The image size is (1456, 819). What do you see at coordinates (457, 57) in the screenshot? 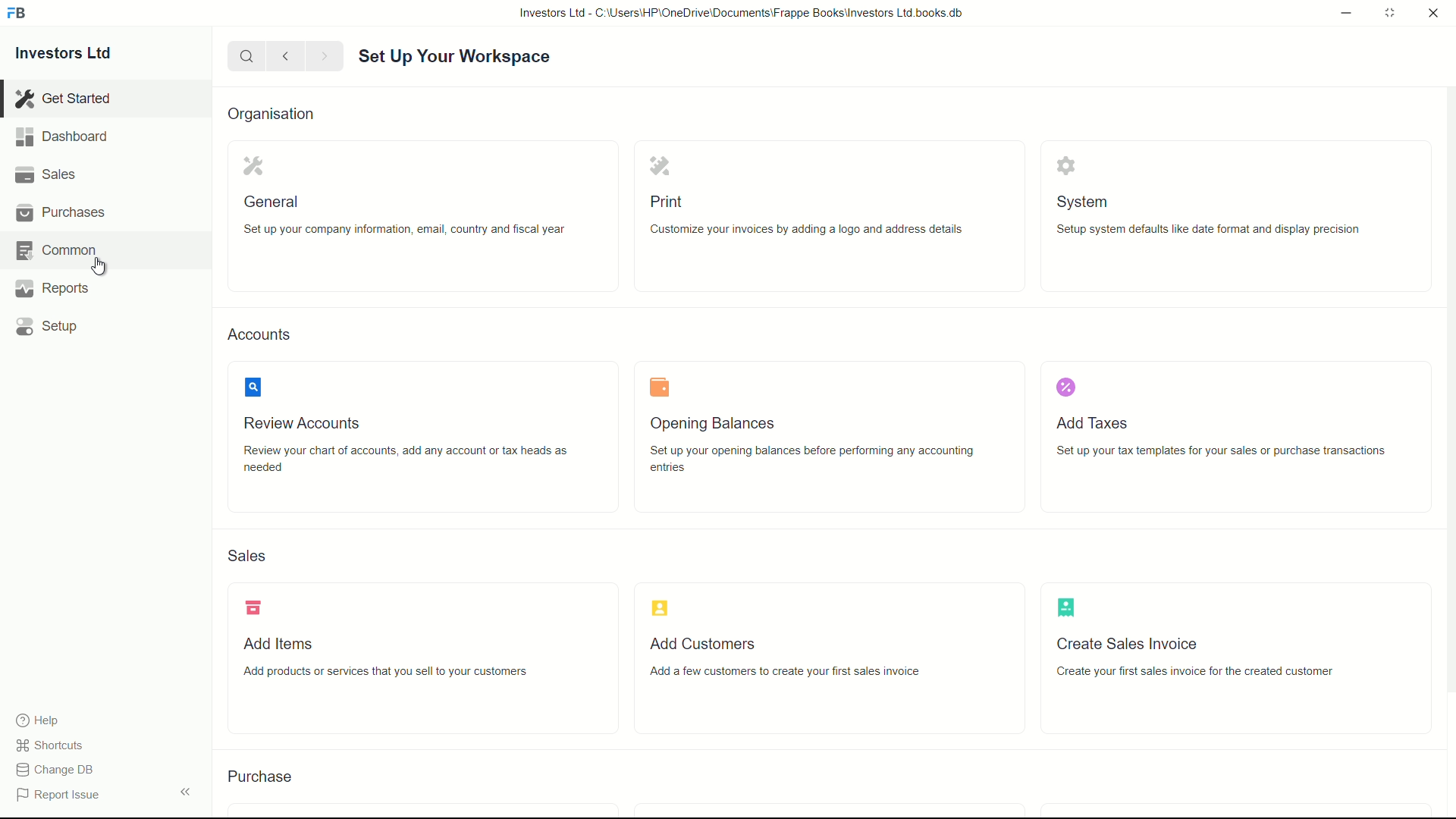
I see `Set Up Your Workspace` at bounding box center [457, 57].